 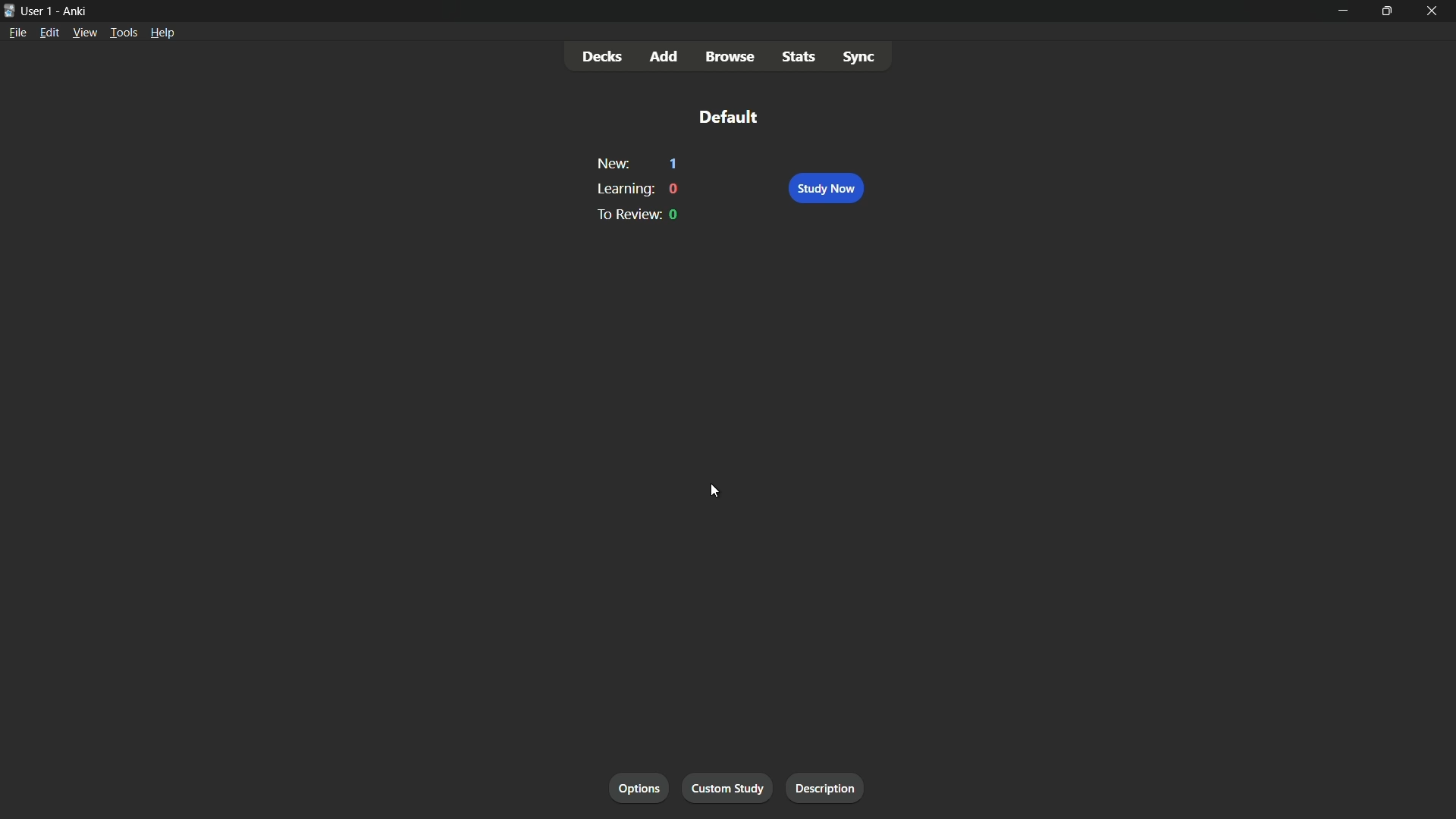 What do you see at coordinates (15, 32) in the screenshot?
I see `file` at bounding box center [15, 32].